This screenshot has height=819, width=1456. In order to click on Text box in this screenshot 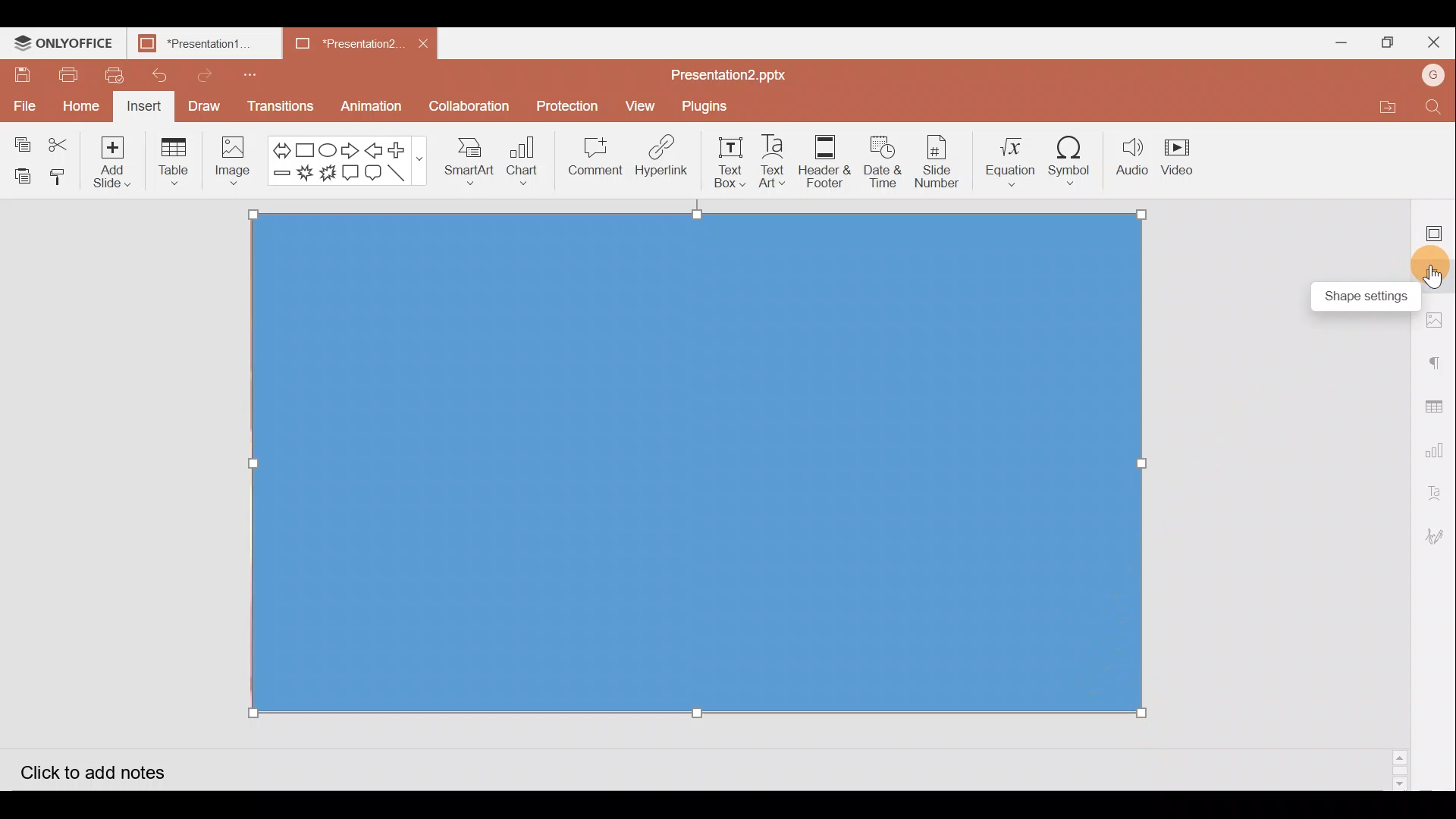, I will do `click(722, 165)`.